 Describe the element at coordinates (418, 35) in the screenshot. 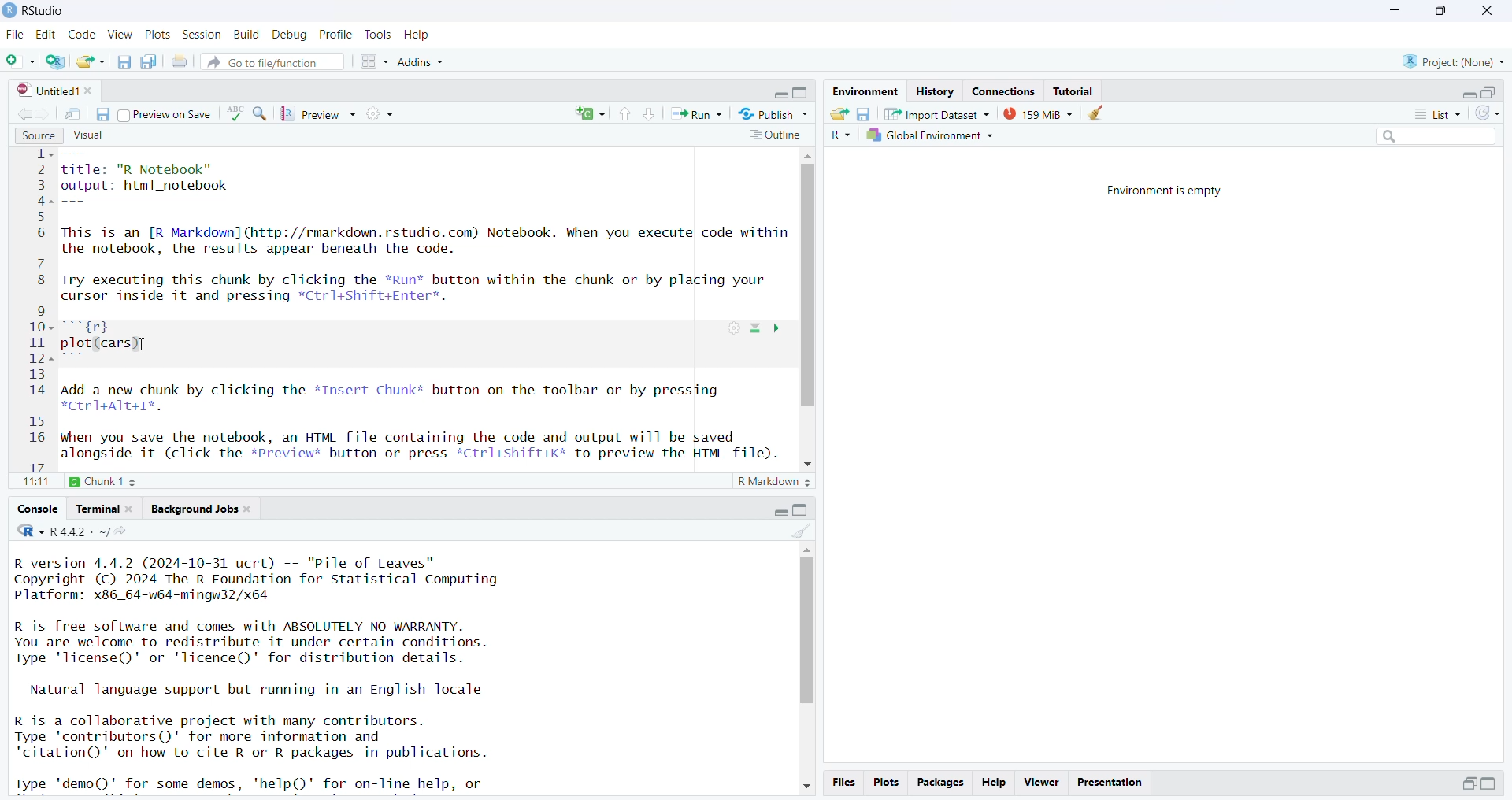

I see `help` at that location.